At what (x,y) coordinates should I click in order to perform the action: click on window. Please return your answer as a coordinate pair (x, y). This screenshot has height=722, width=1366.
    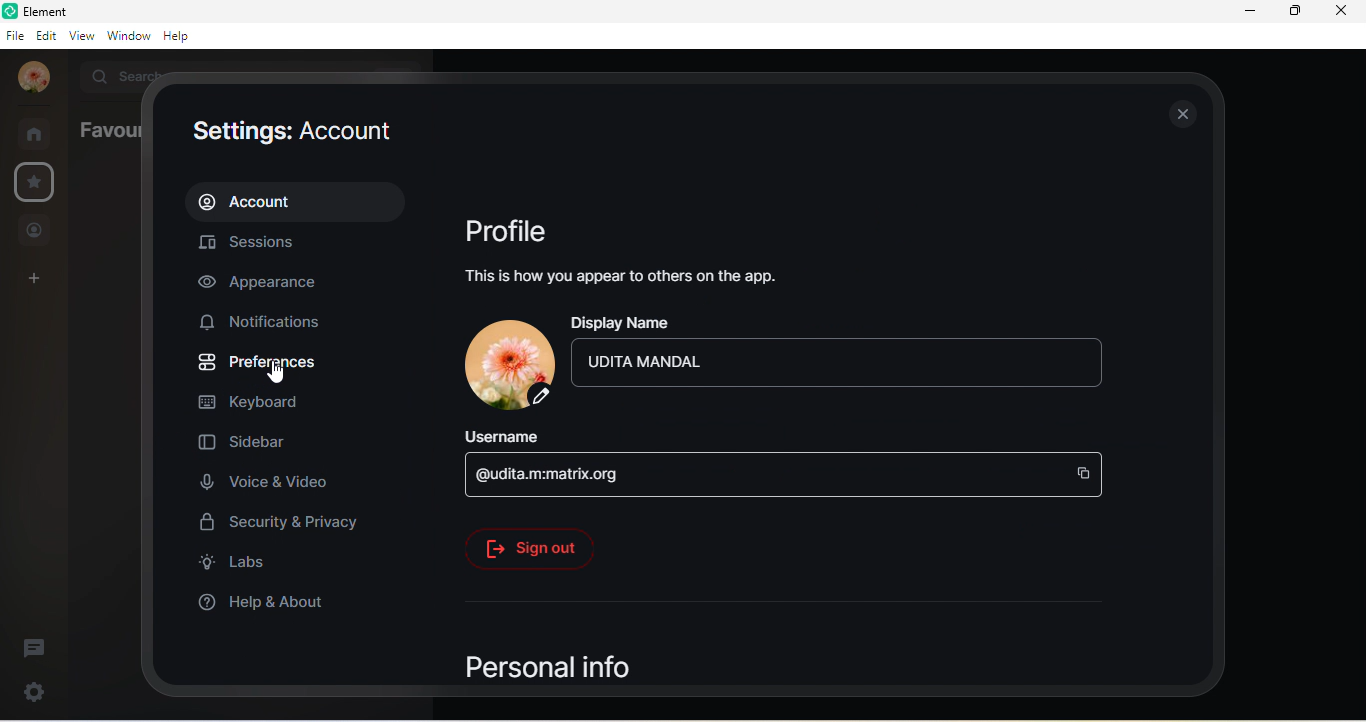
    Looking at the image, I should click on (127, 37).